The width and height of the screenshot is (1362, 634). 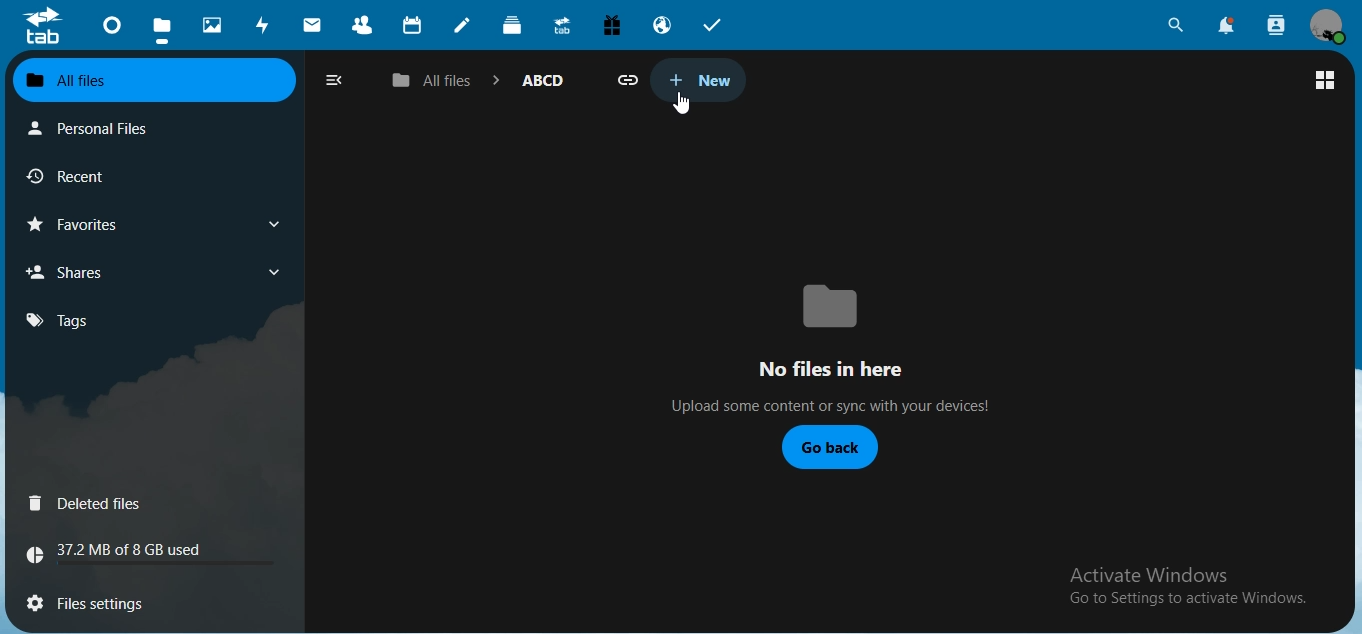 I want to click on upgrade, so click(x=565, y=27).